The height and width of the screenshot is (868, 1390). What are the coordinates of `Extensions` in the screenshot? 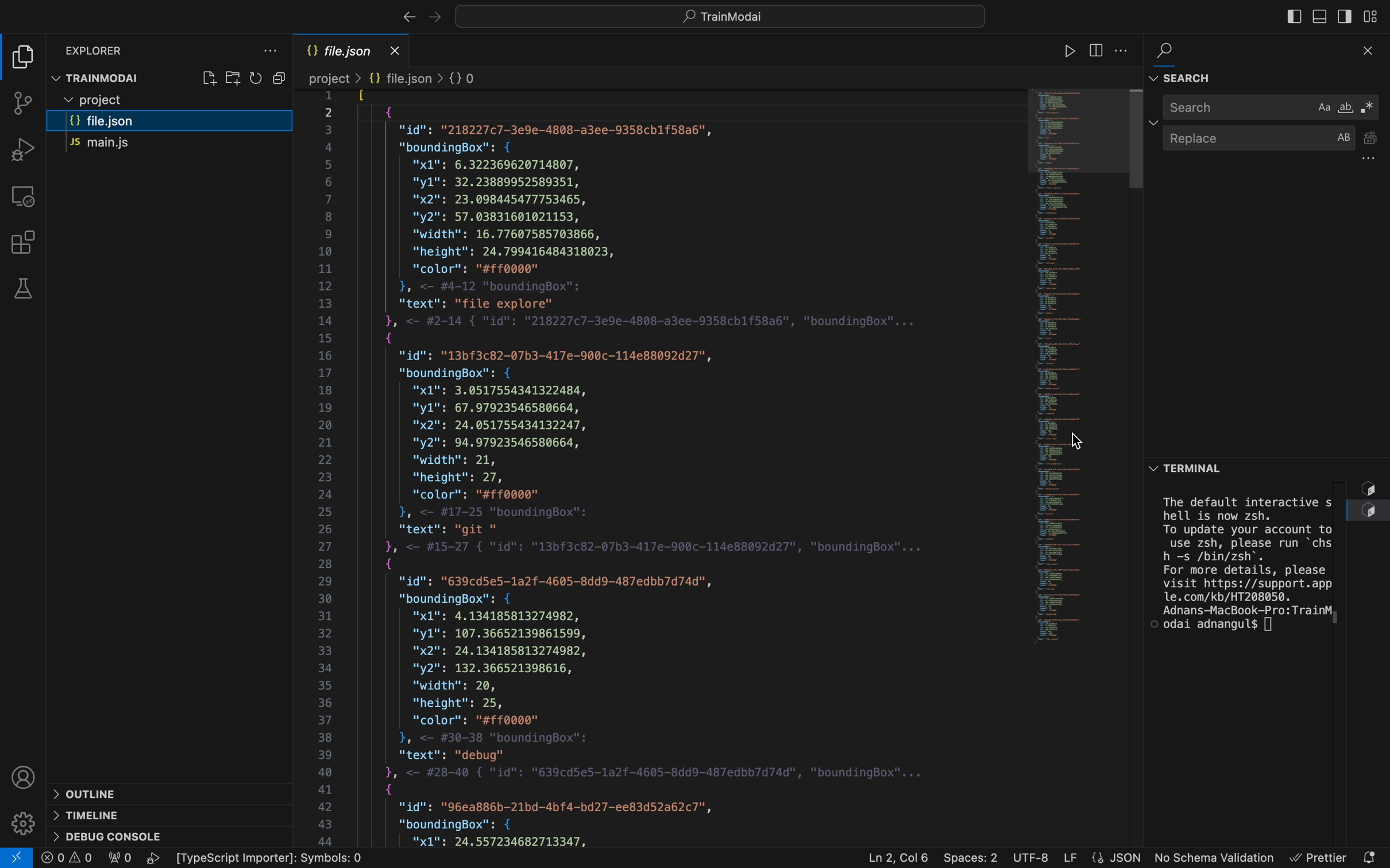 It's located at (25, 241).